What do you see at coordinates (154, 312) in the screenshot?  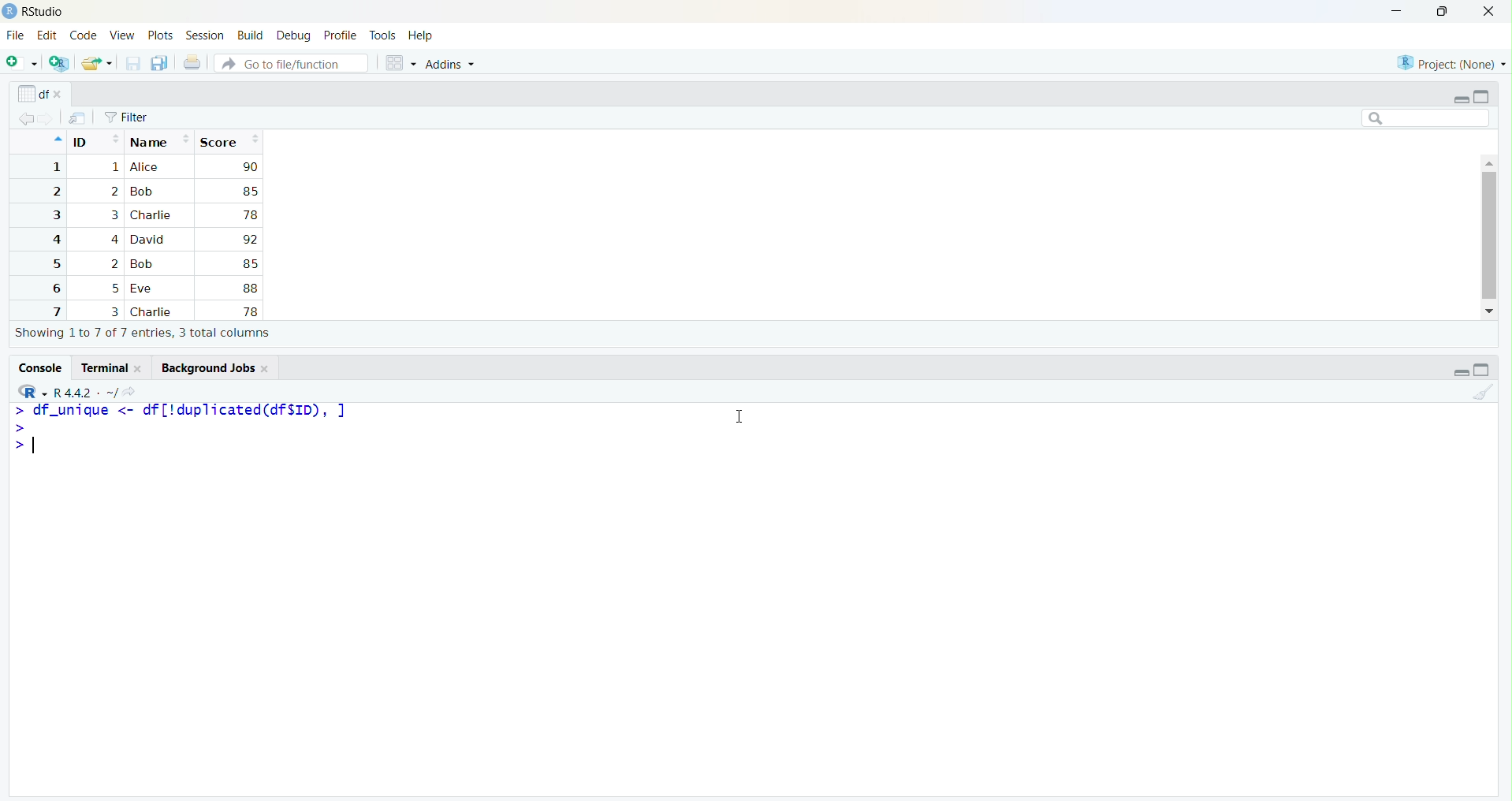 I see `Charlie` at bounding box center [154, 312].